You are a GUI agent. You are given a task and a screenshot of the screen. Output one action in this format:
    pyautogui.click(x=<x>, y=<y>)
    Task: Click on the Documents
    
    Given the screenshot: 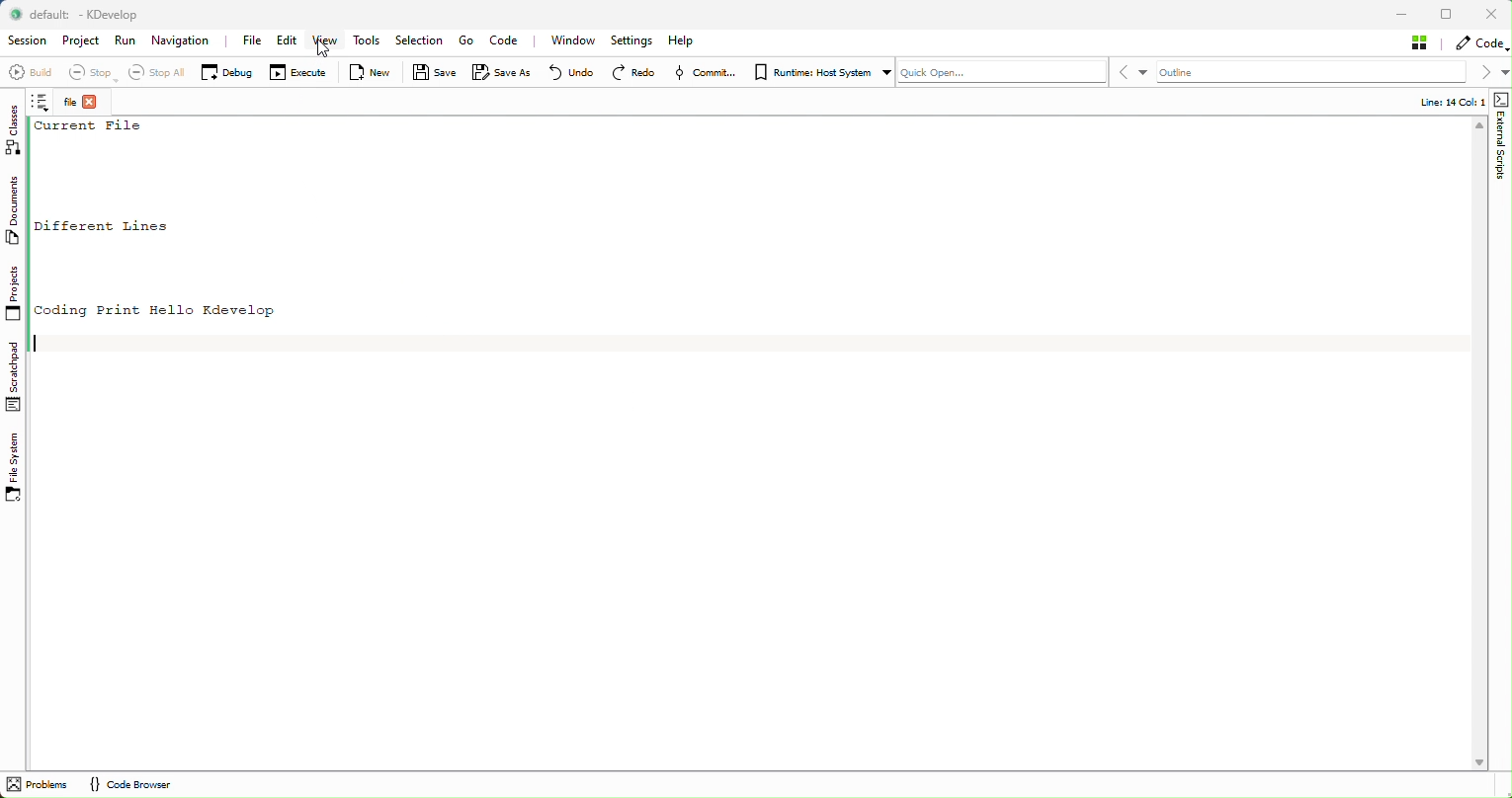 What is the action you would take?
    pyautogui.click(x=18, y=213)
    